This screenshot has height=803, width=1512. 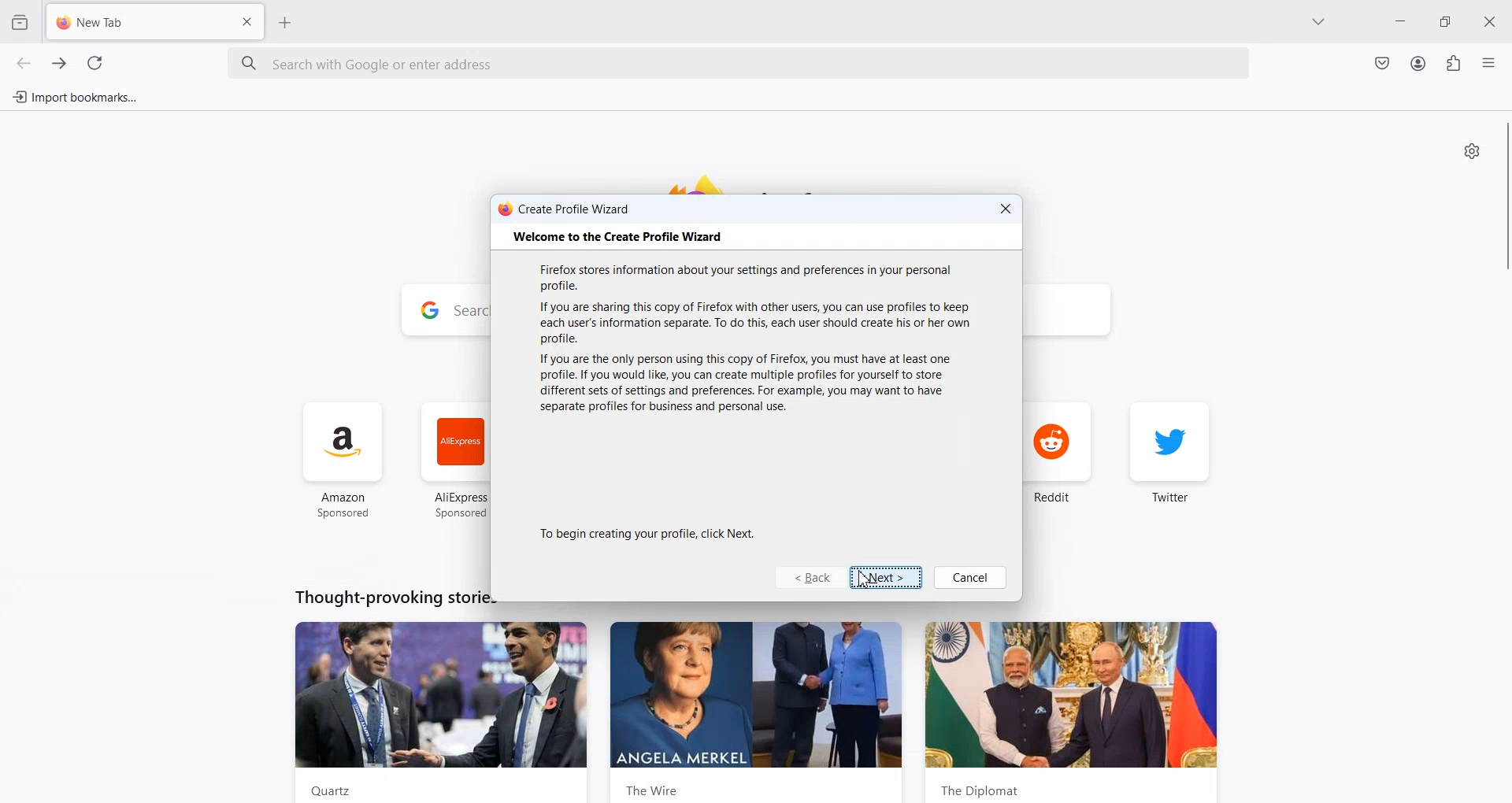 What do you see at coordinates (806, 579) in the screenshot?
I see `Back` at bounding box center [806, 579].